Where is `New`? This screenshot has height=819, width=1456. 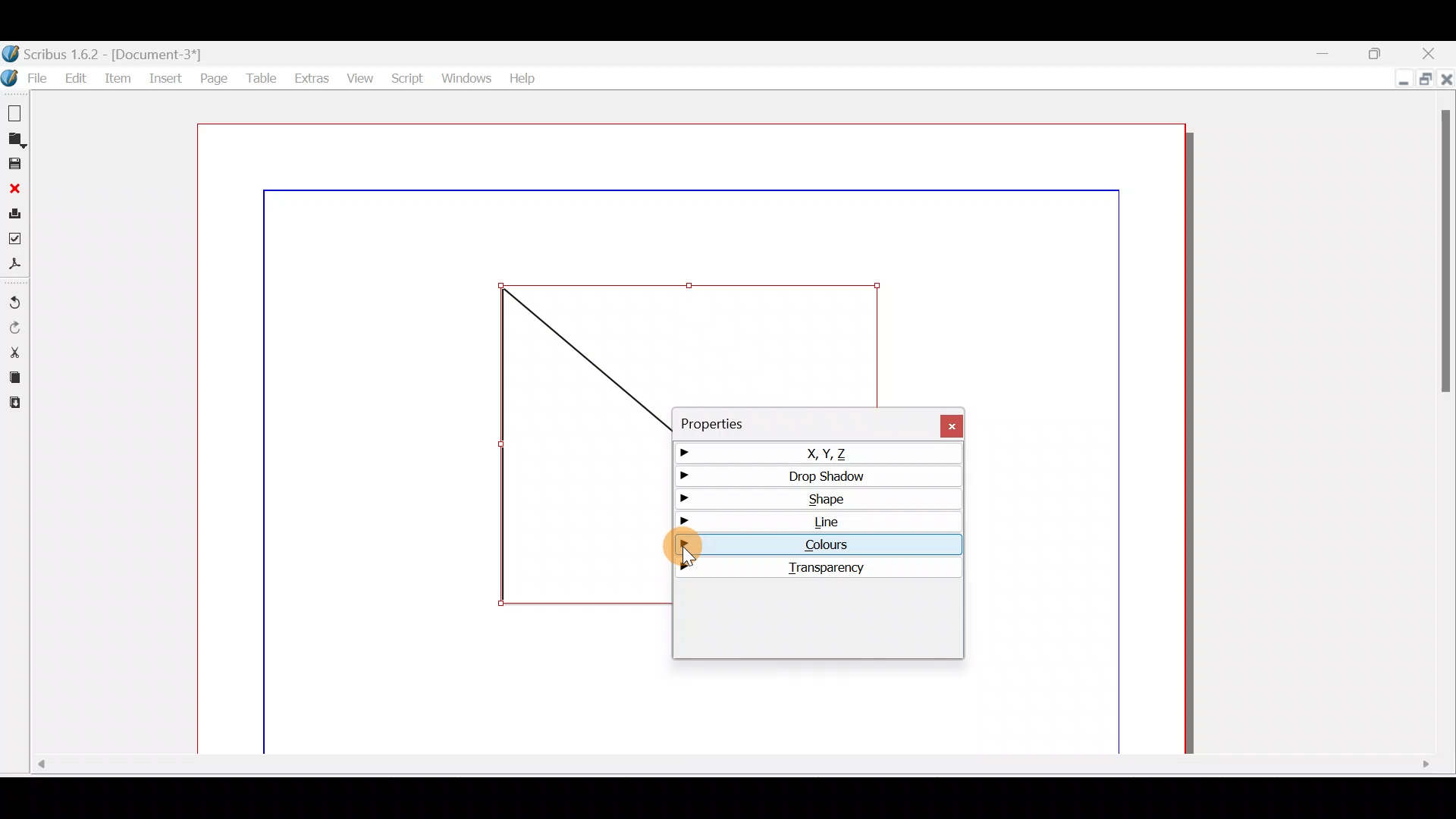
New is located at coordinates (15, 111).